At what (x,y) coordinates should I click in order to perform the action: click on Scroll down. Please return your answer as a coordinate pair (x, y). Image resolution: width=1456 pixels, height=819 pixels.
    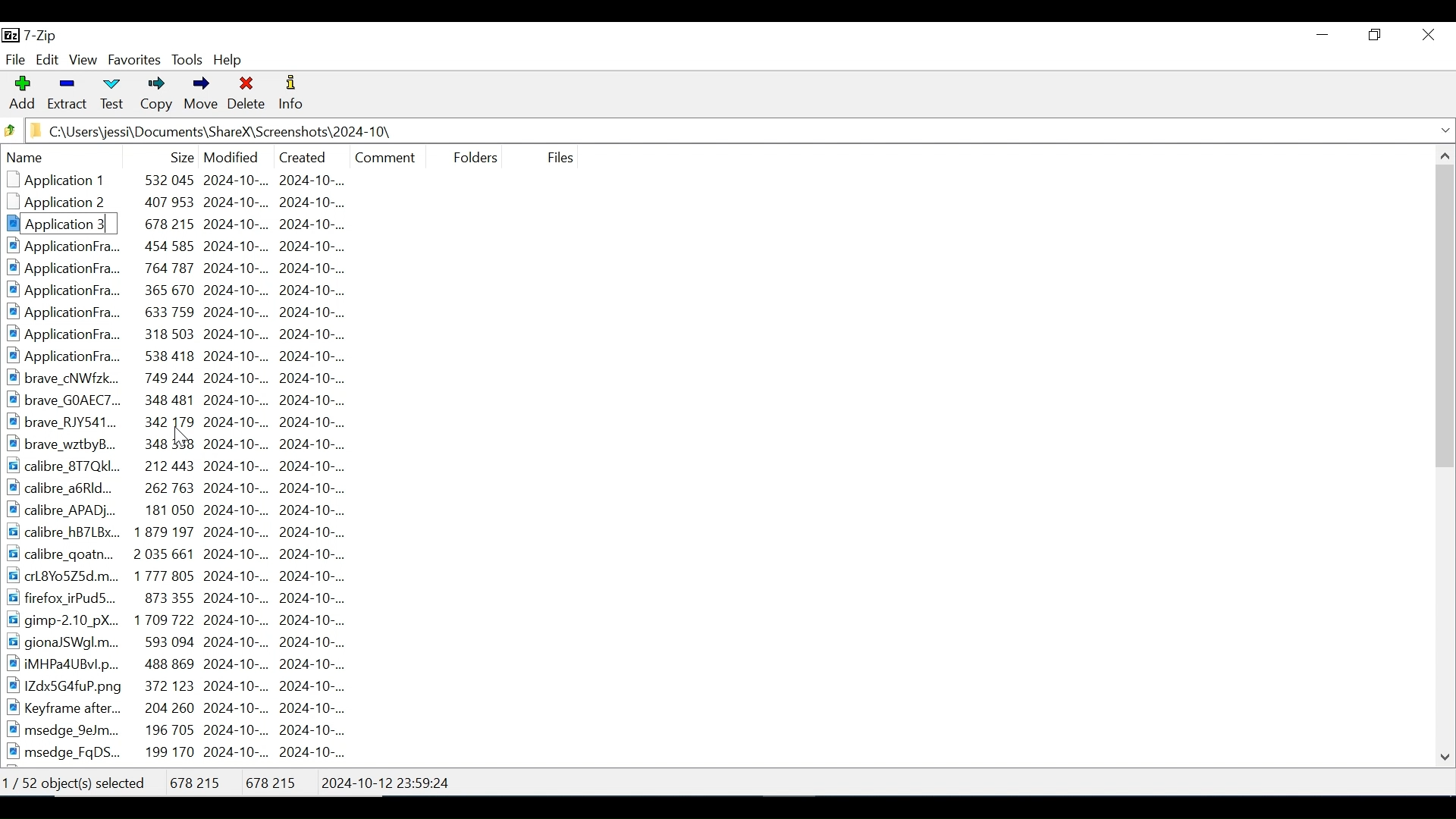
    Looking at the image, I should click on (1446, 755).